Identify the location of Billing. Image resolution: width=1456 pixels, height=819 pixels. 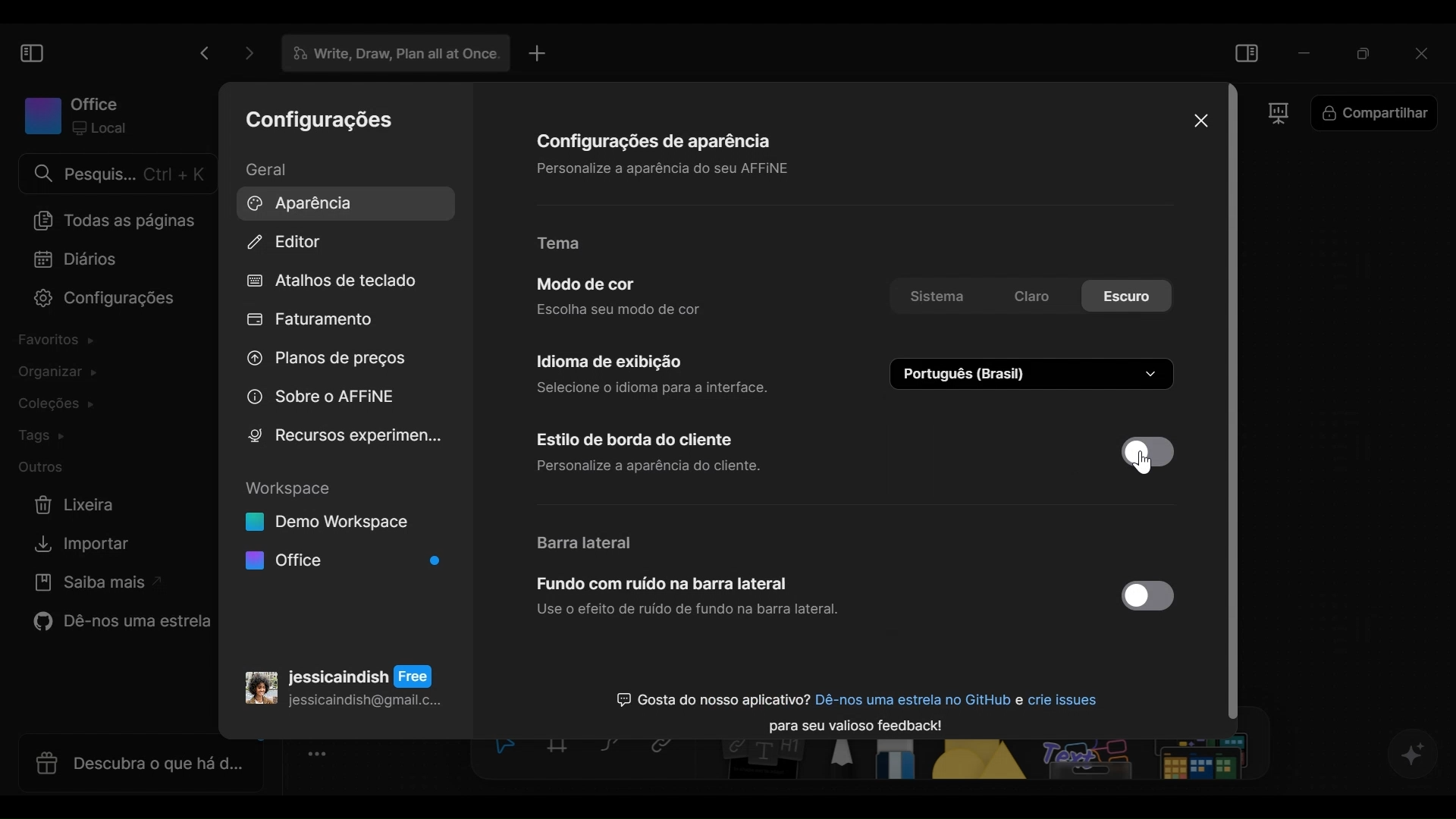
(311, 322).